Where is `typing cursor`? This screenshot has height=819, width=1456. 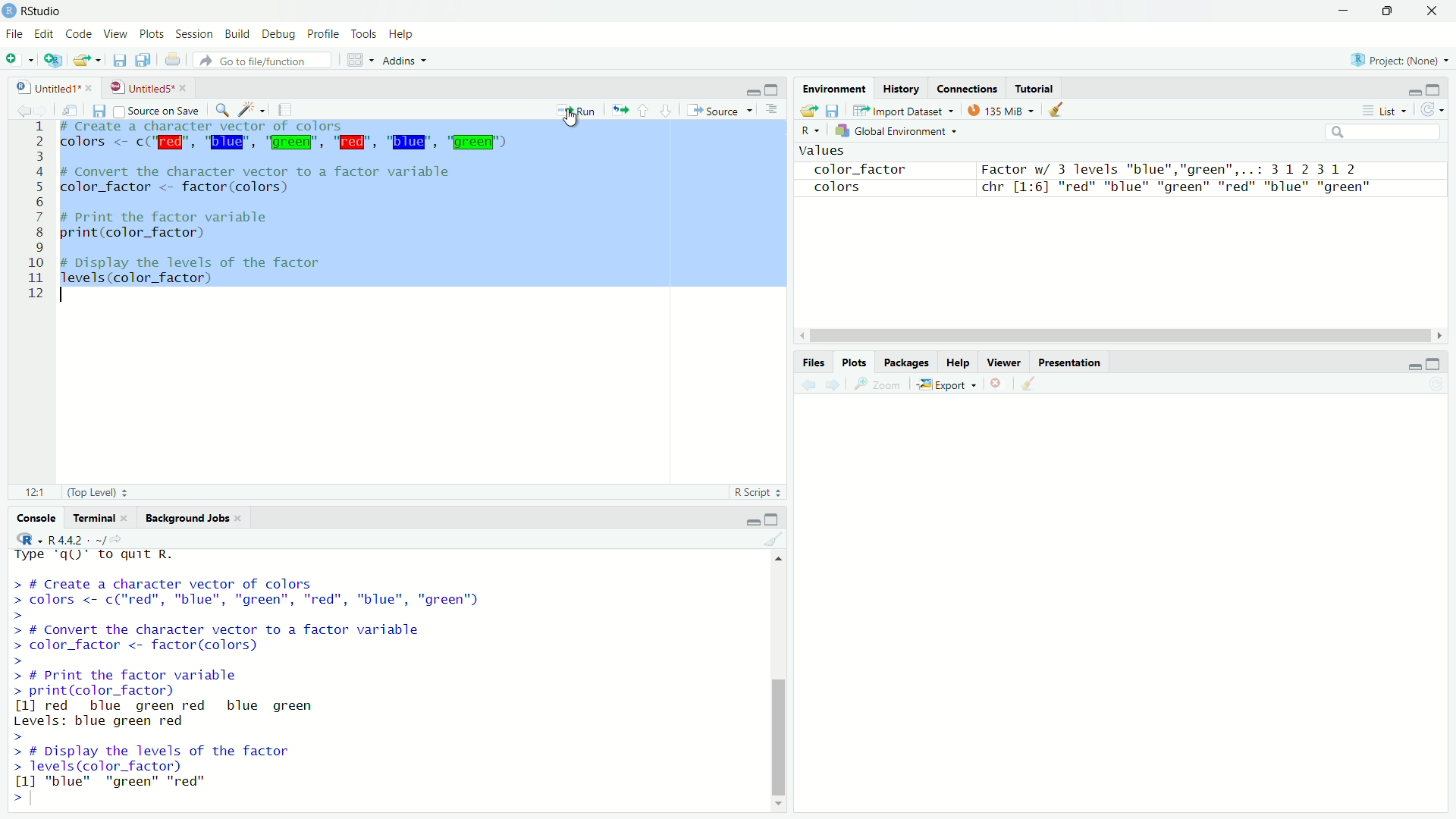
typing cursor is located at coordinates (68, 297).